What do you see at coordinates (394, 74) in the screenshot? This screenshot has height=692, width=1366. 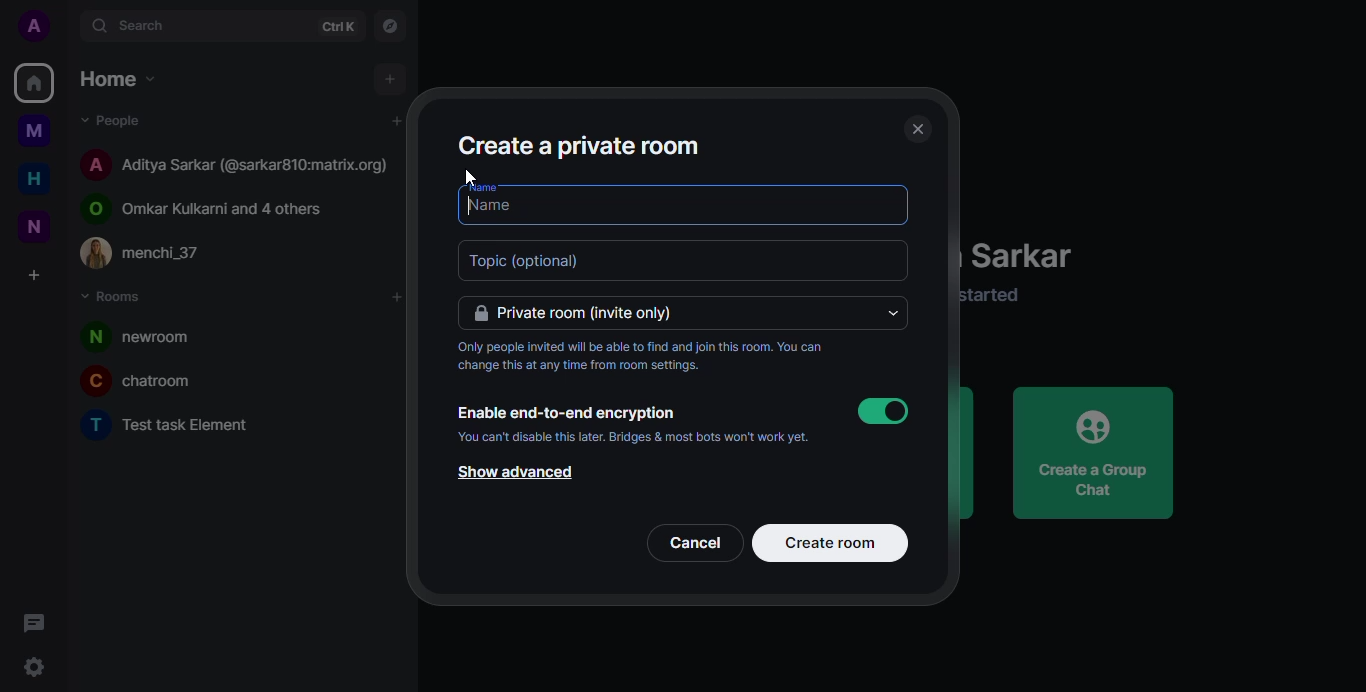 I see `add` at bounding box center [394, 74].